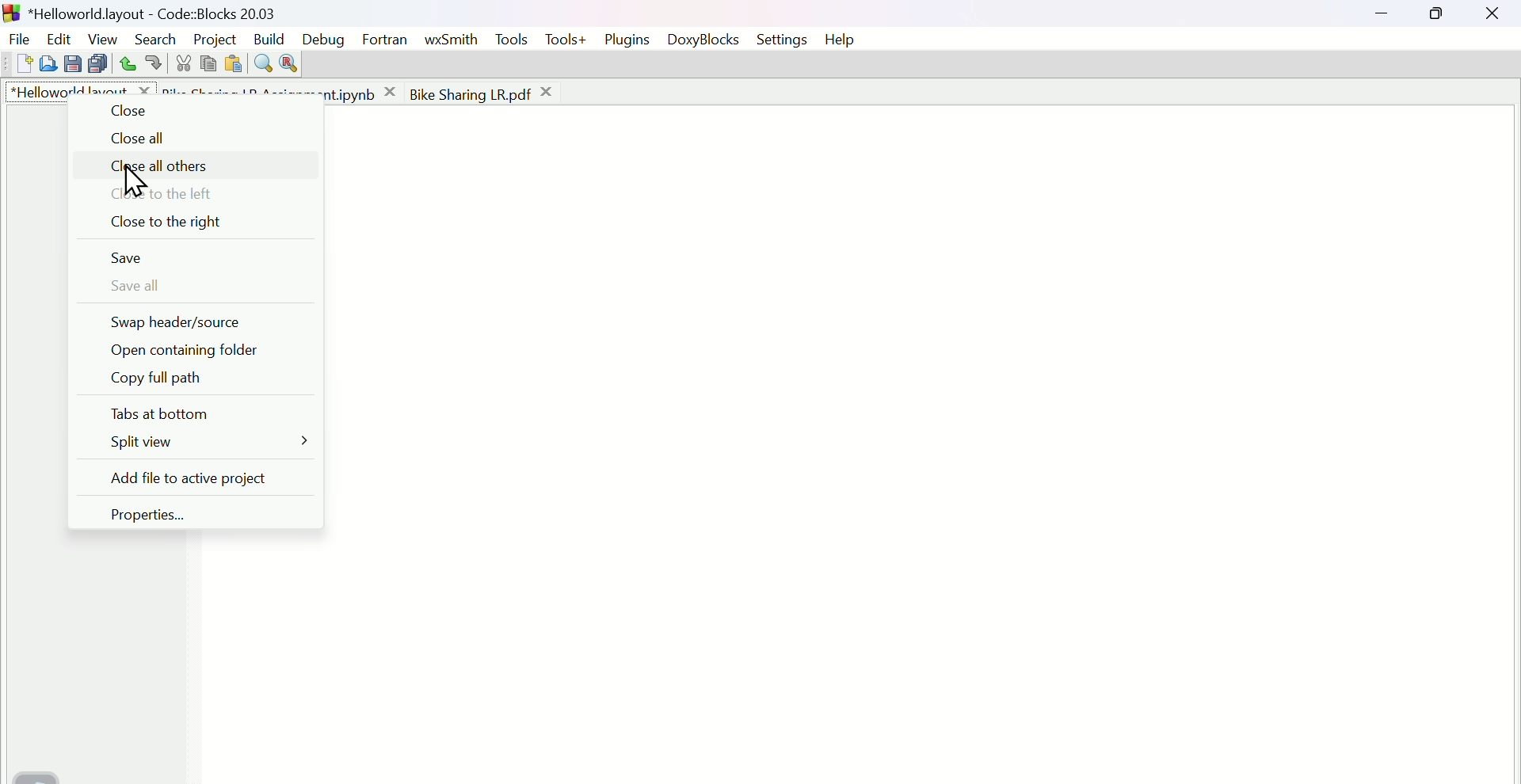 The height and width of the screenshot is (784, 1521). What do you see at coordinates (139, 12) in the screenshot?
I see `*Helloworld.layout - Code:Blocks 20.03 logo` at bounding box center [139, 12].